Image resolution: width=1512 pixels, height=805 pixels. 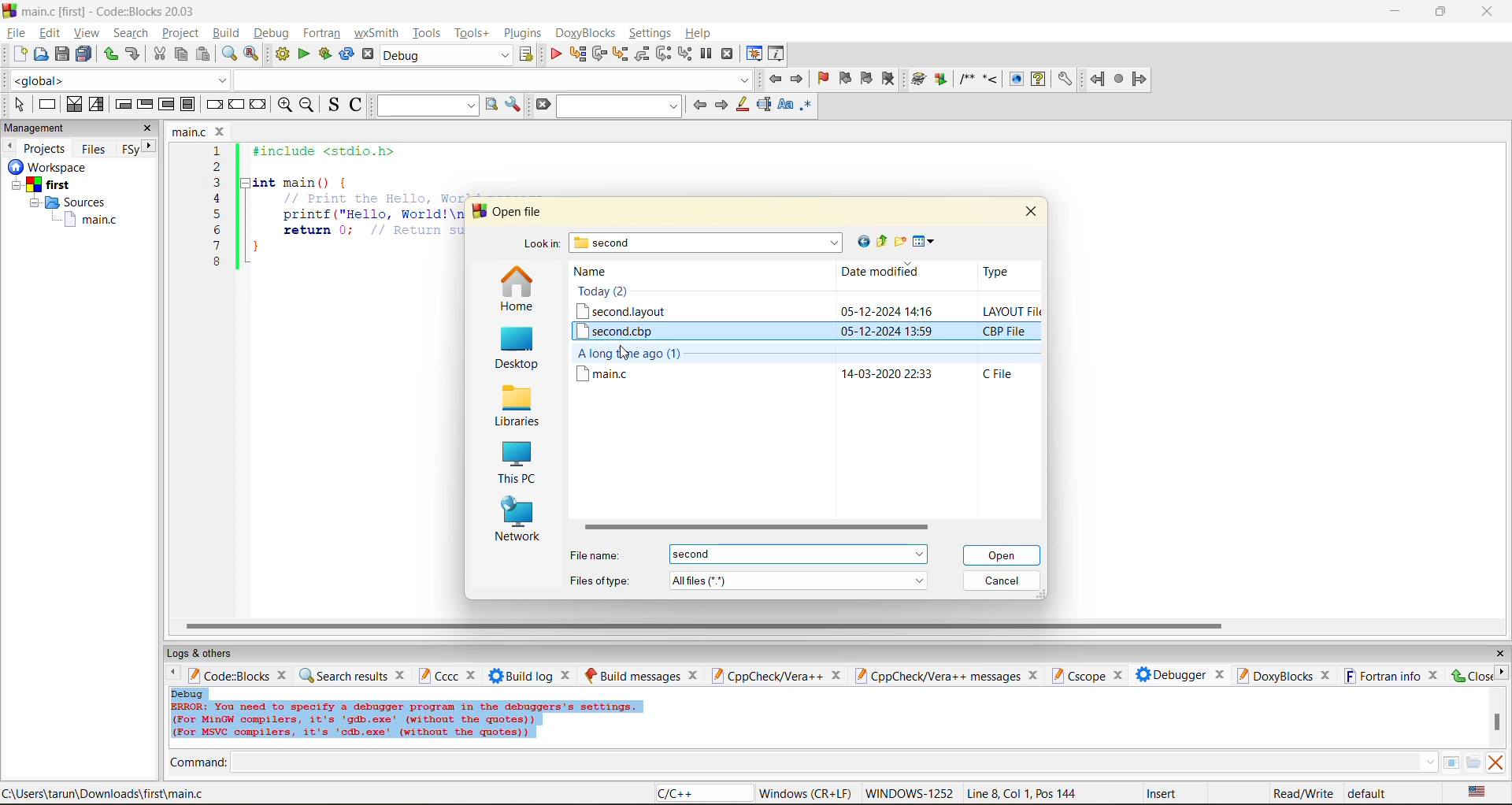 What do you see at coordinates (43, 185) in the screenshot?
I see `first project` at bounding box center [43, 185].